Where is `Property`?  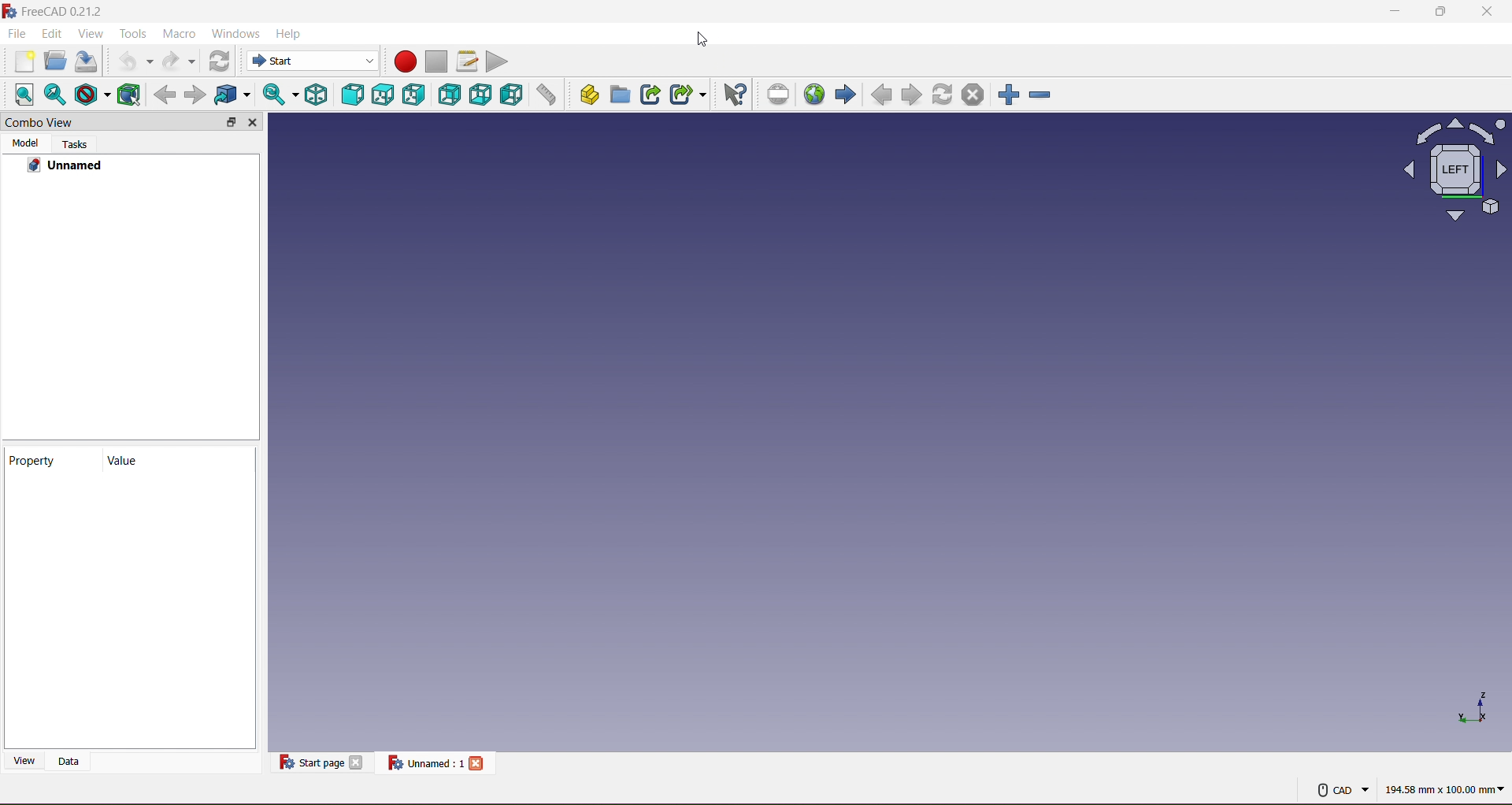 Property is located at coordinates (49, 459).